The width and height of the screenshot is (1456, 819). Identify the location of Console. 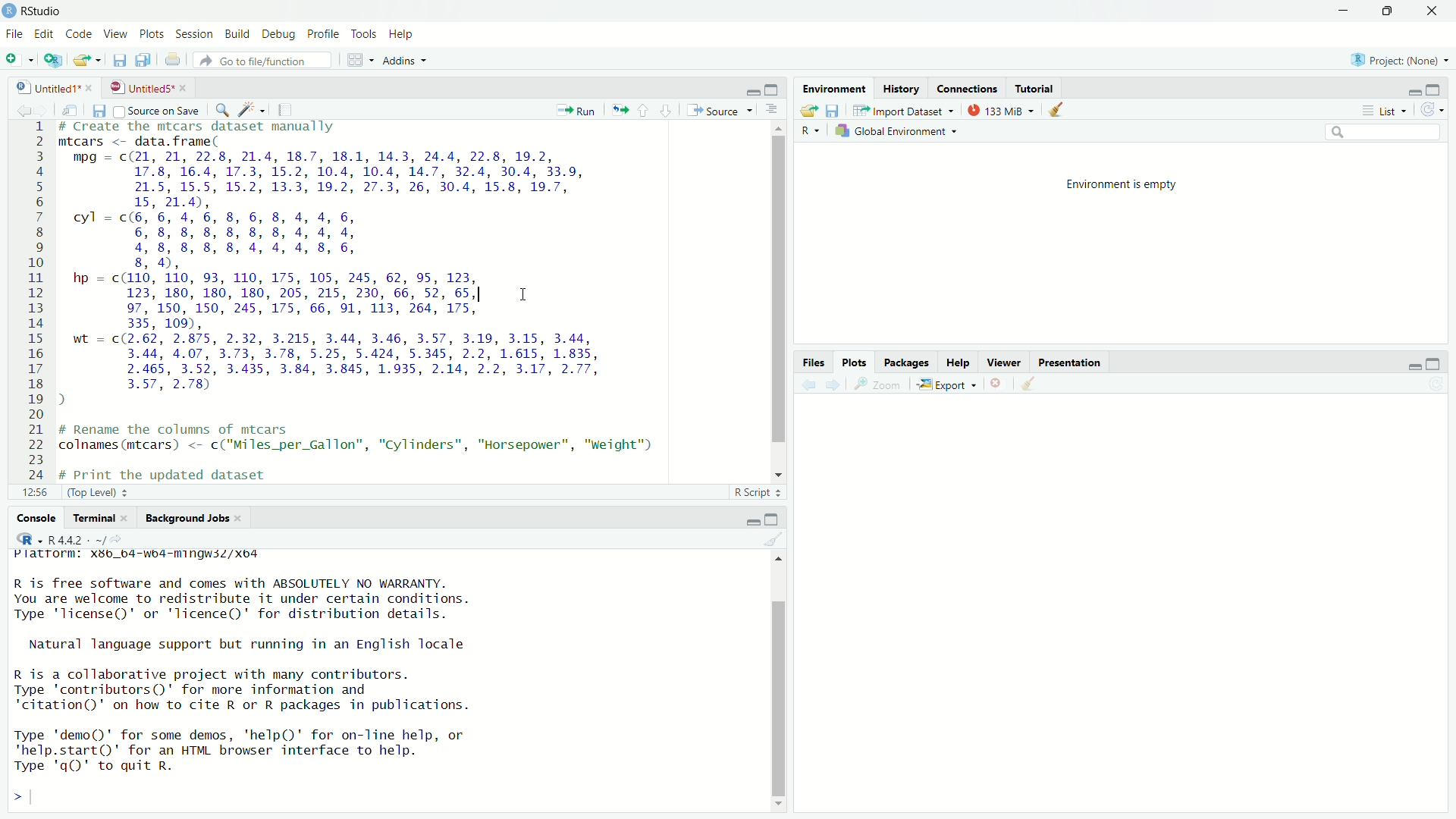
(34, 517).